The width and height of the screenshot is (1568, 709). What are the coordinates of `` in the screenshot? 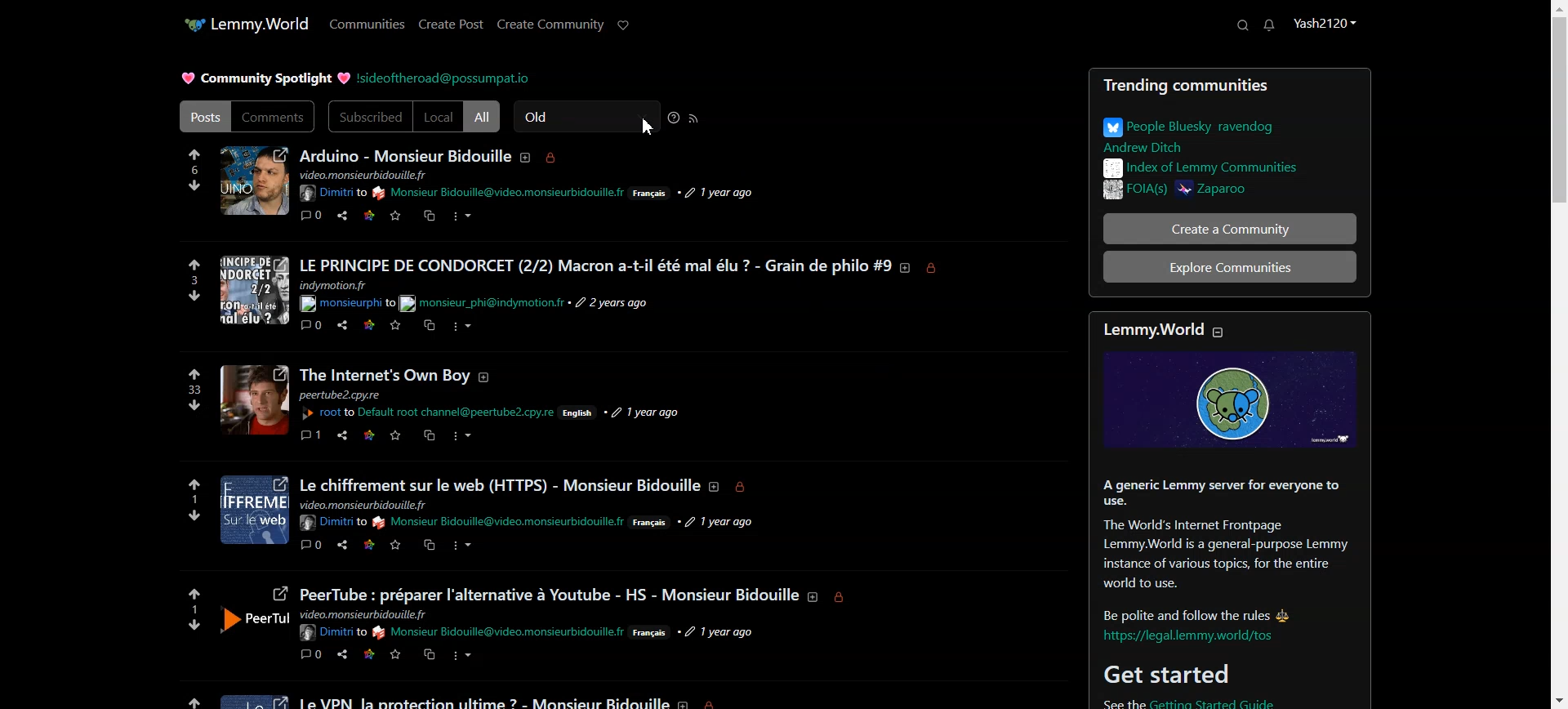 It's located at (335, 632).